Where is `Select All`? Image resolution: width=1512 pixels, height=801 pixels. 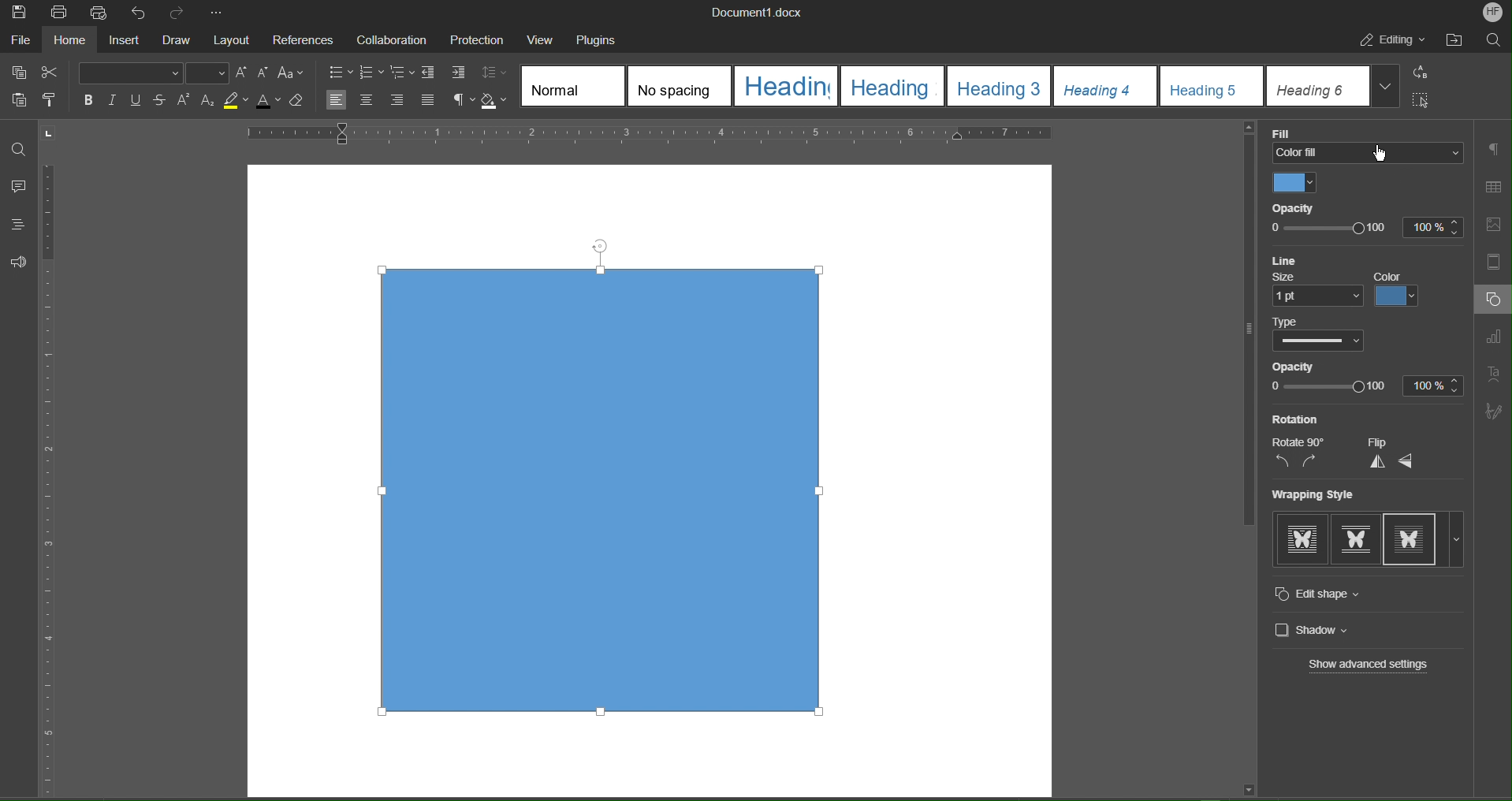 Select All is located at coordinates (1423, 99).